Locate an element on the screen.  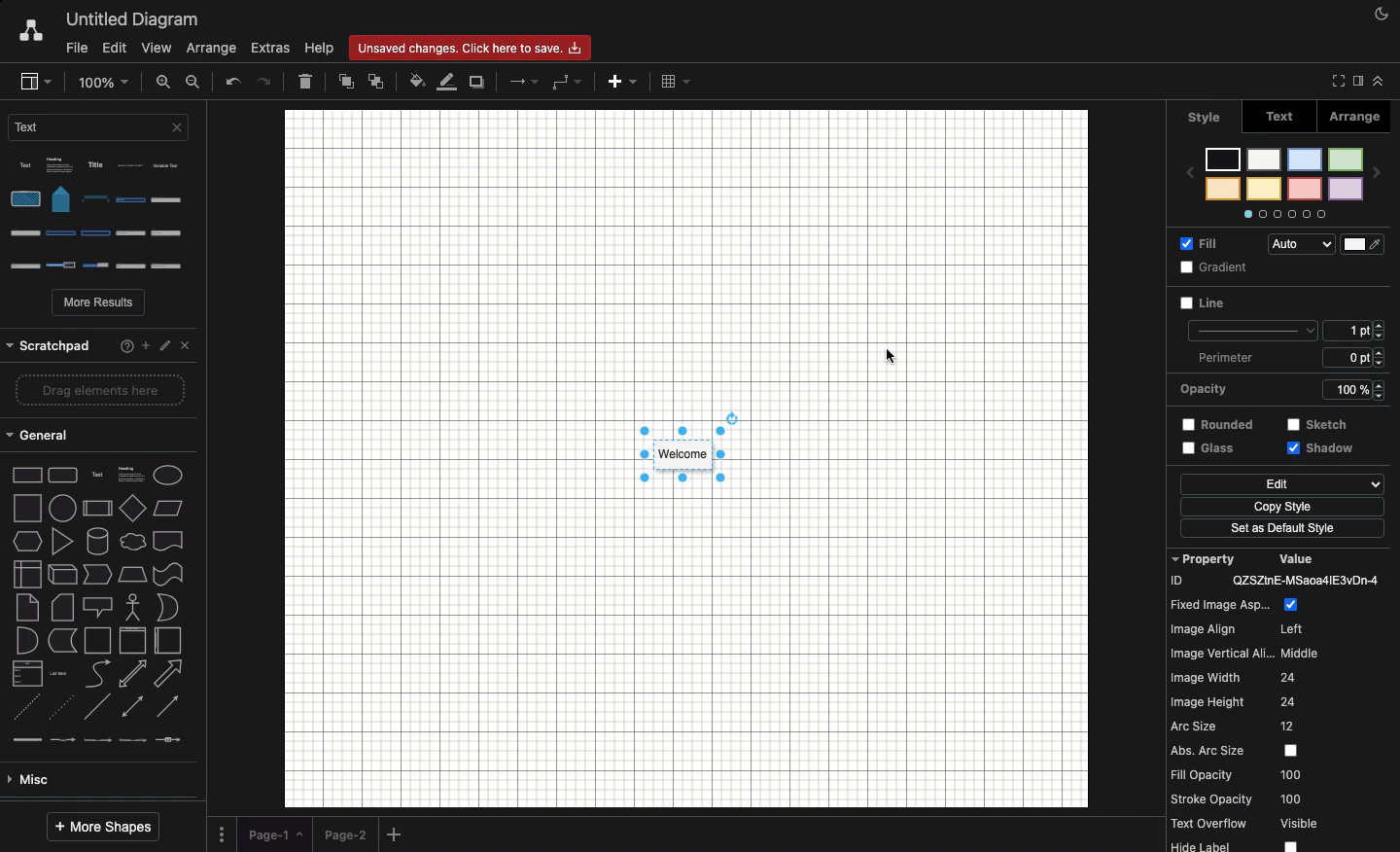
Zoom is located at coordinates (105, 81).